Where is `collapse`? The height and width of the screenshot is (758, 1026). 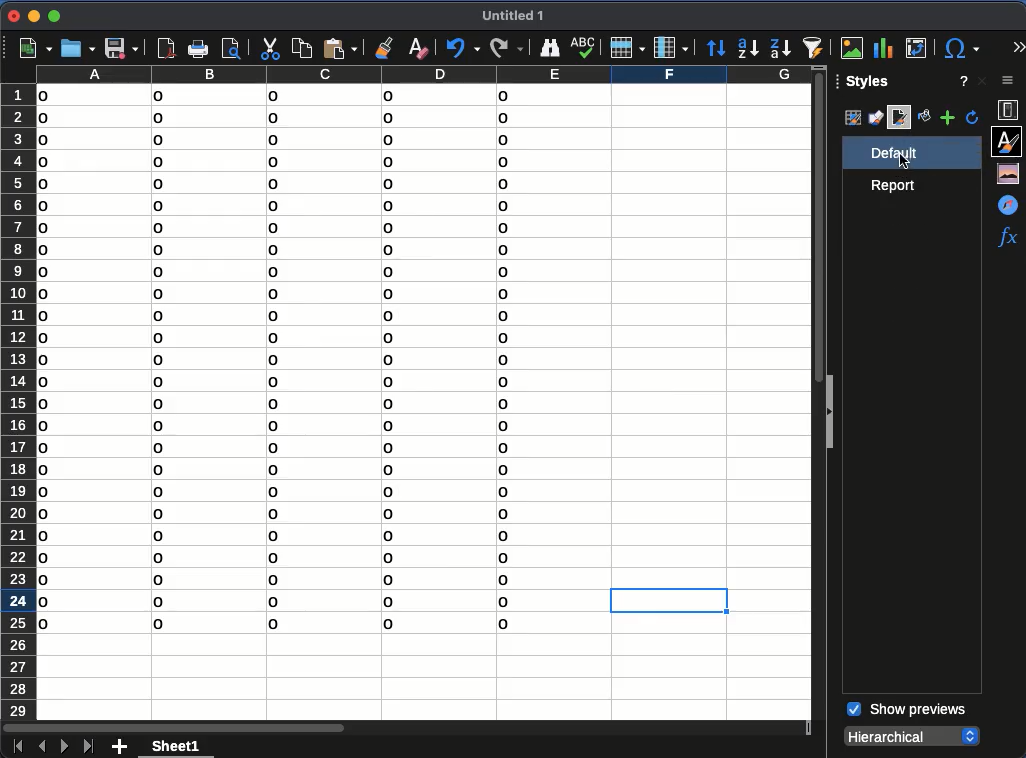 collapse is located at coordinates (828, 412).